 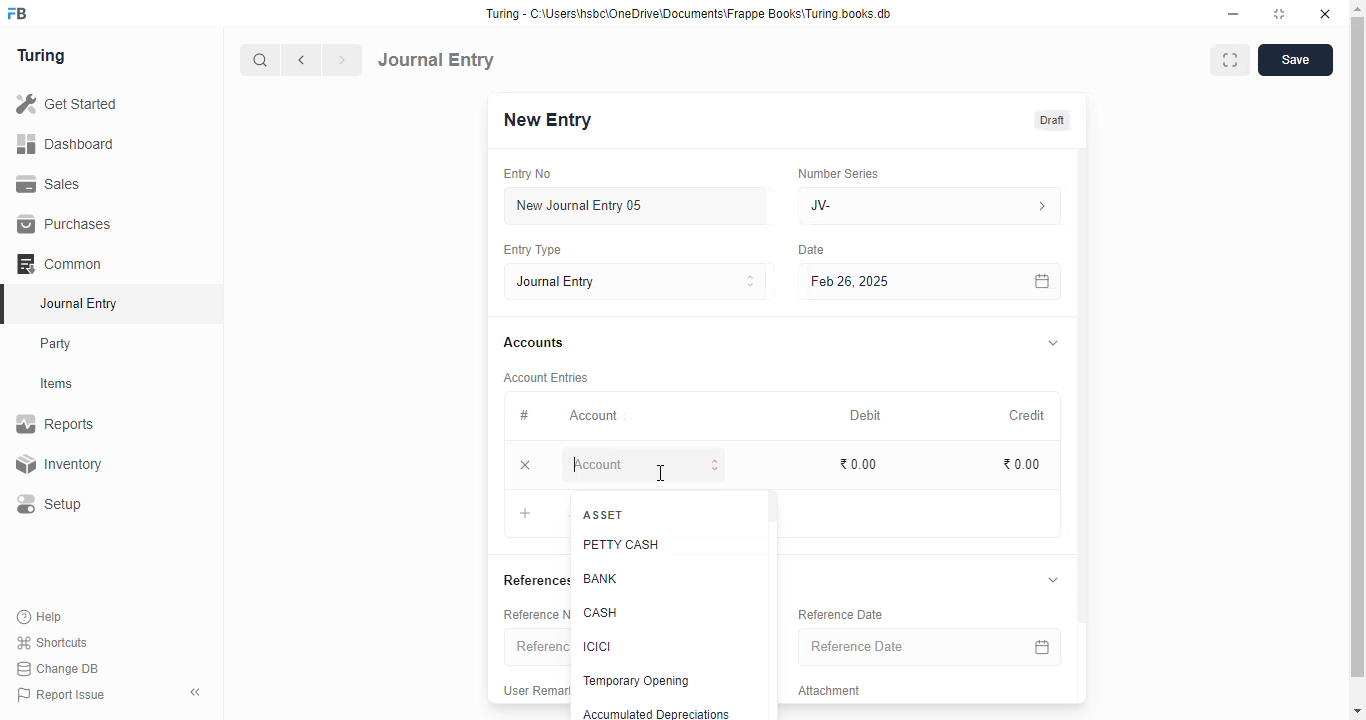 I want to click on toggle maximize, so click(x=1280, y=14).